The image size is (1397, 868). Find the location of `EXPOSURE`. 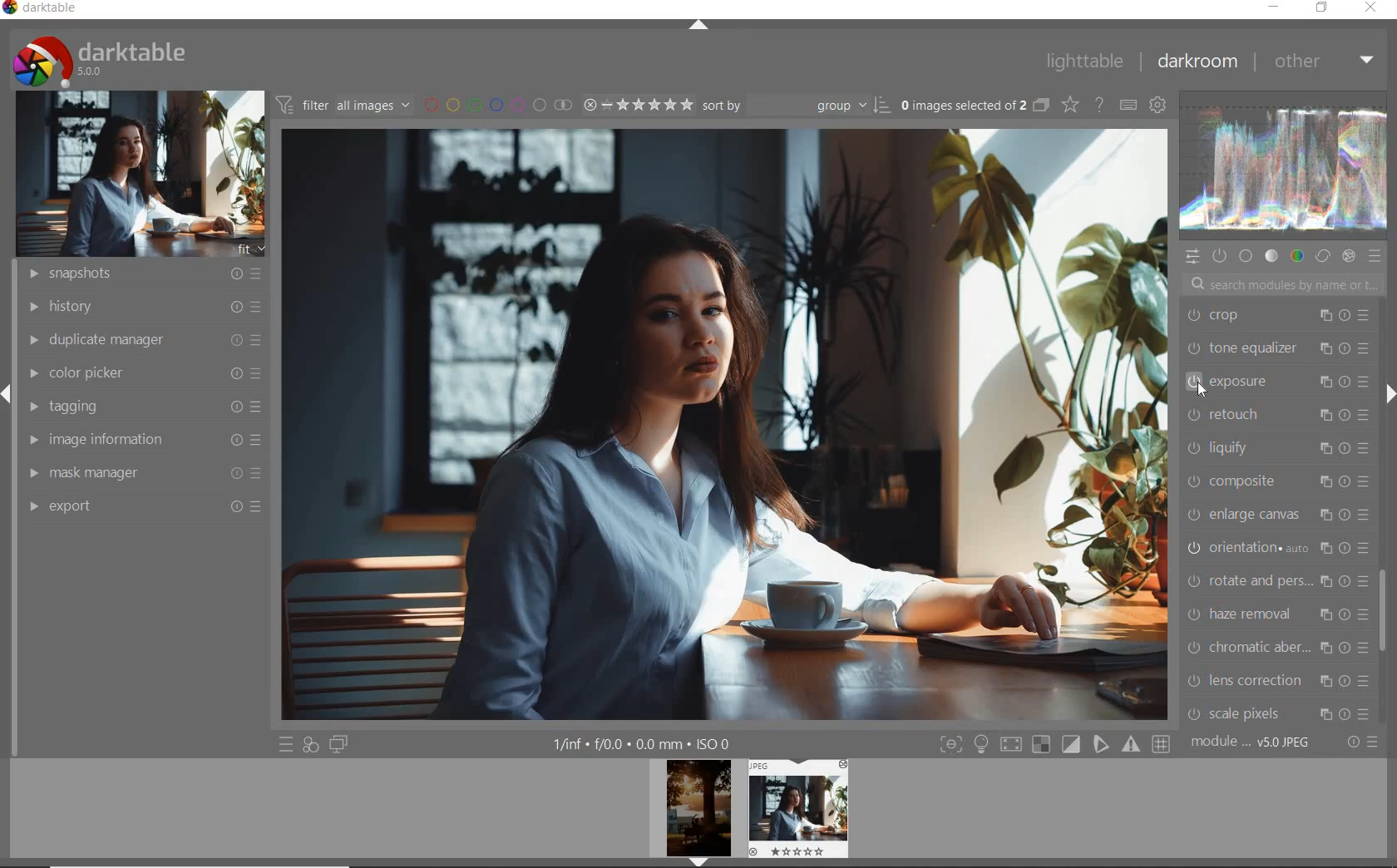

EXPOSURE is located at coordinates (1276, 382).